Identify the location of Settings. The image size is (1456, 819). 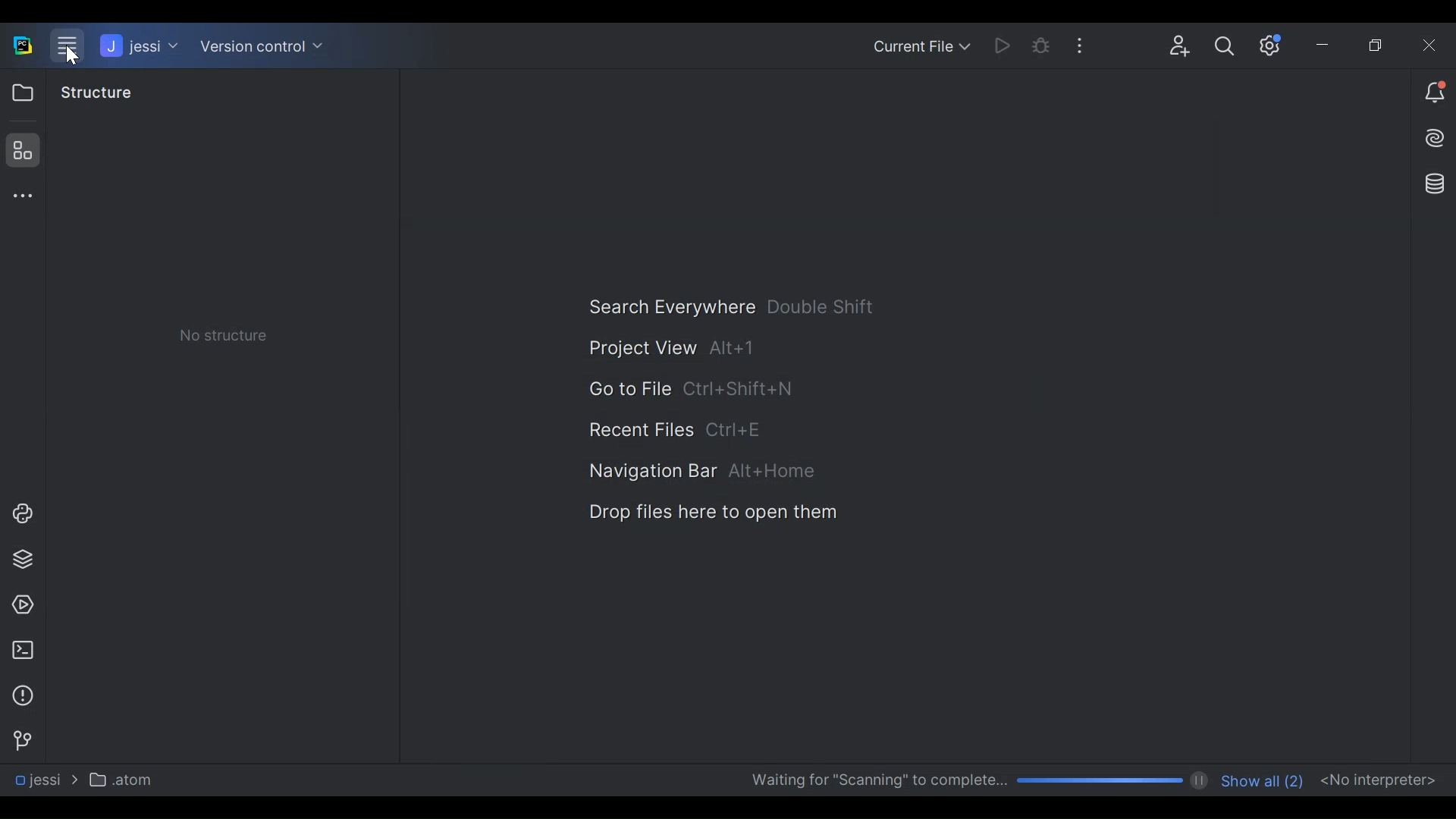
(1270, 47).